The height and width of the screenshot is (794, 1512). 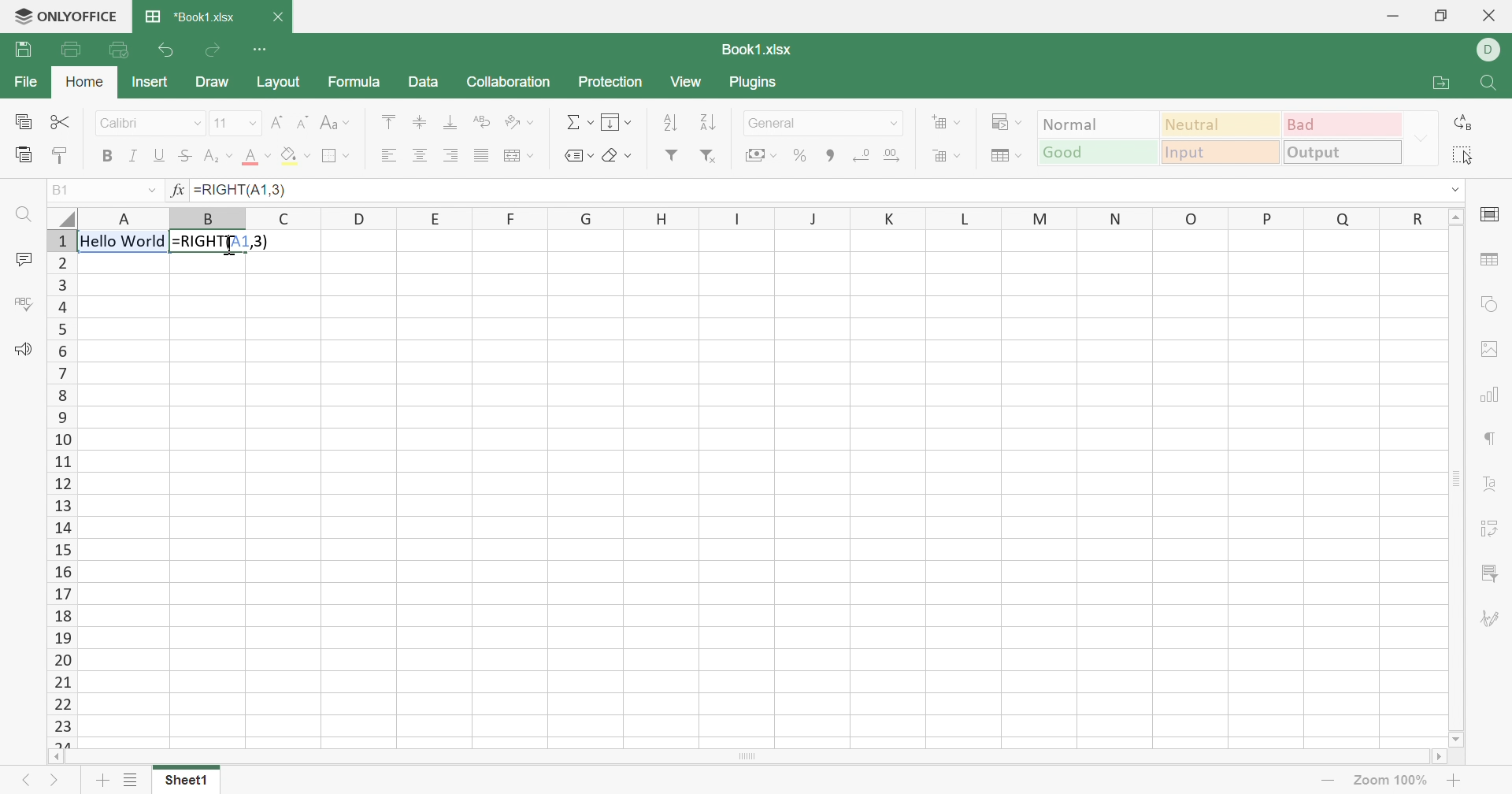 What do you see at coordinates (1464, 123) in the screenshot?
I see `Replace` at bounding box center [1464, 123].